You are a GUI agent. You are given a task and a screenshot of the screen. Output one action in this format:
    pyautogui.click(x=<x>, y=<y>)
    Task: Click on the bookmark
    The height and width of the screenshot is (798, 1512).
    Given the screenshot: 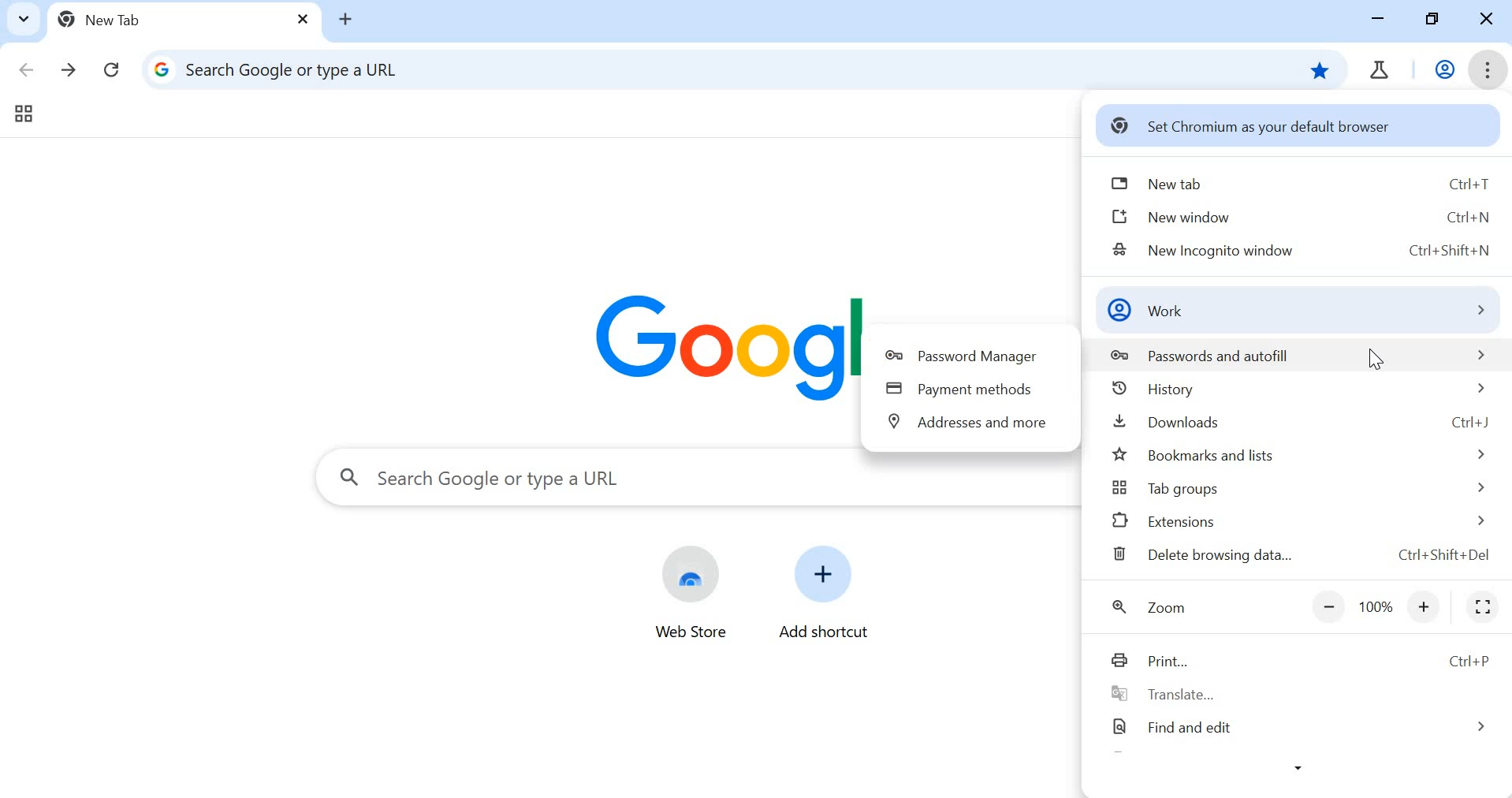 What is the action you would take?
    pyautogui.click(x=1320, y=69)
    